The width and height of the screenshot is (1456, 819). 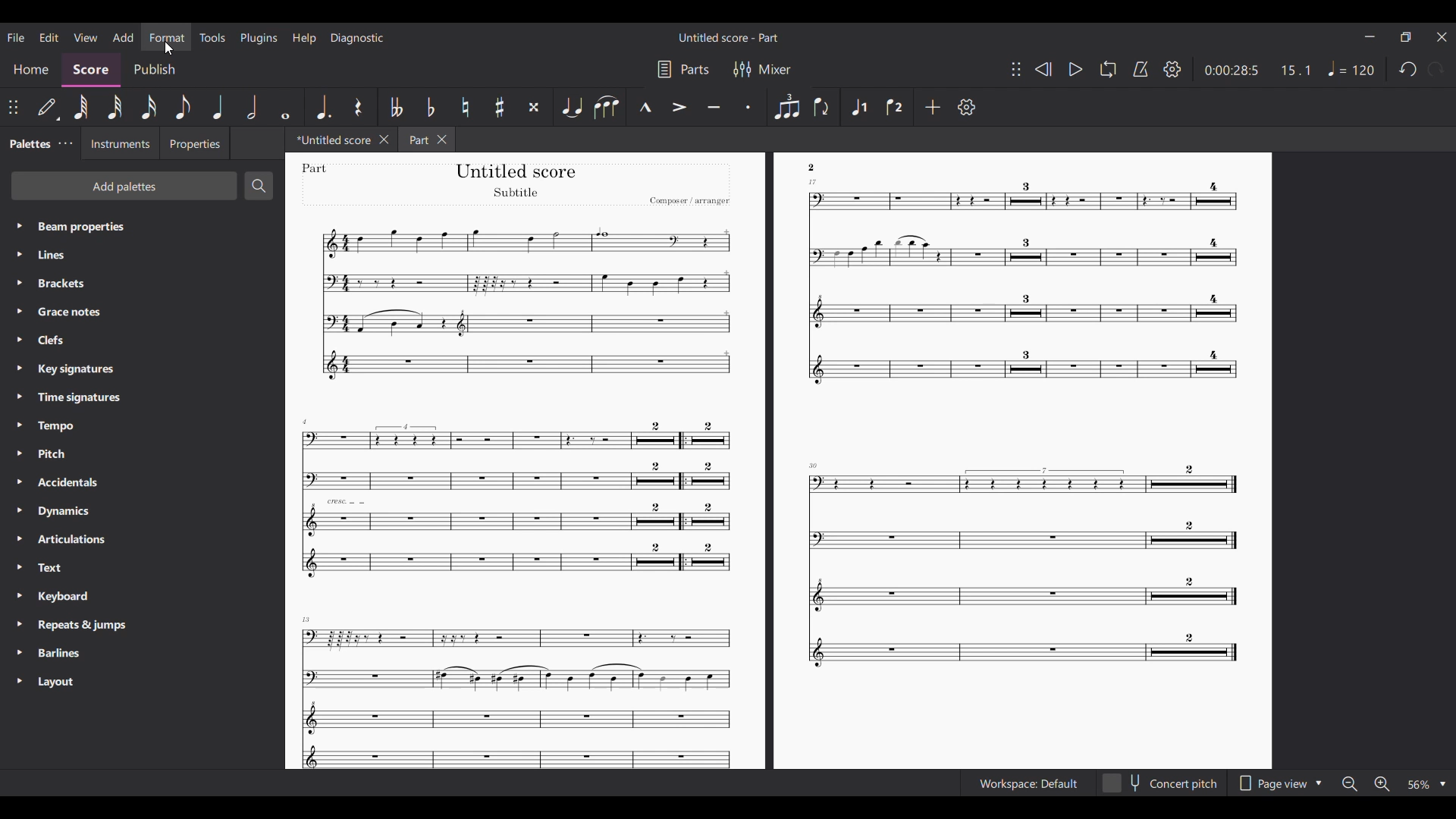 I want to click on Add, so click(x=932, y=106).